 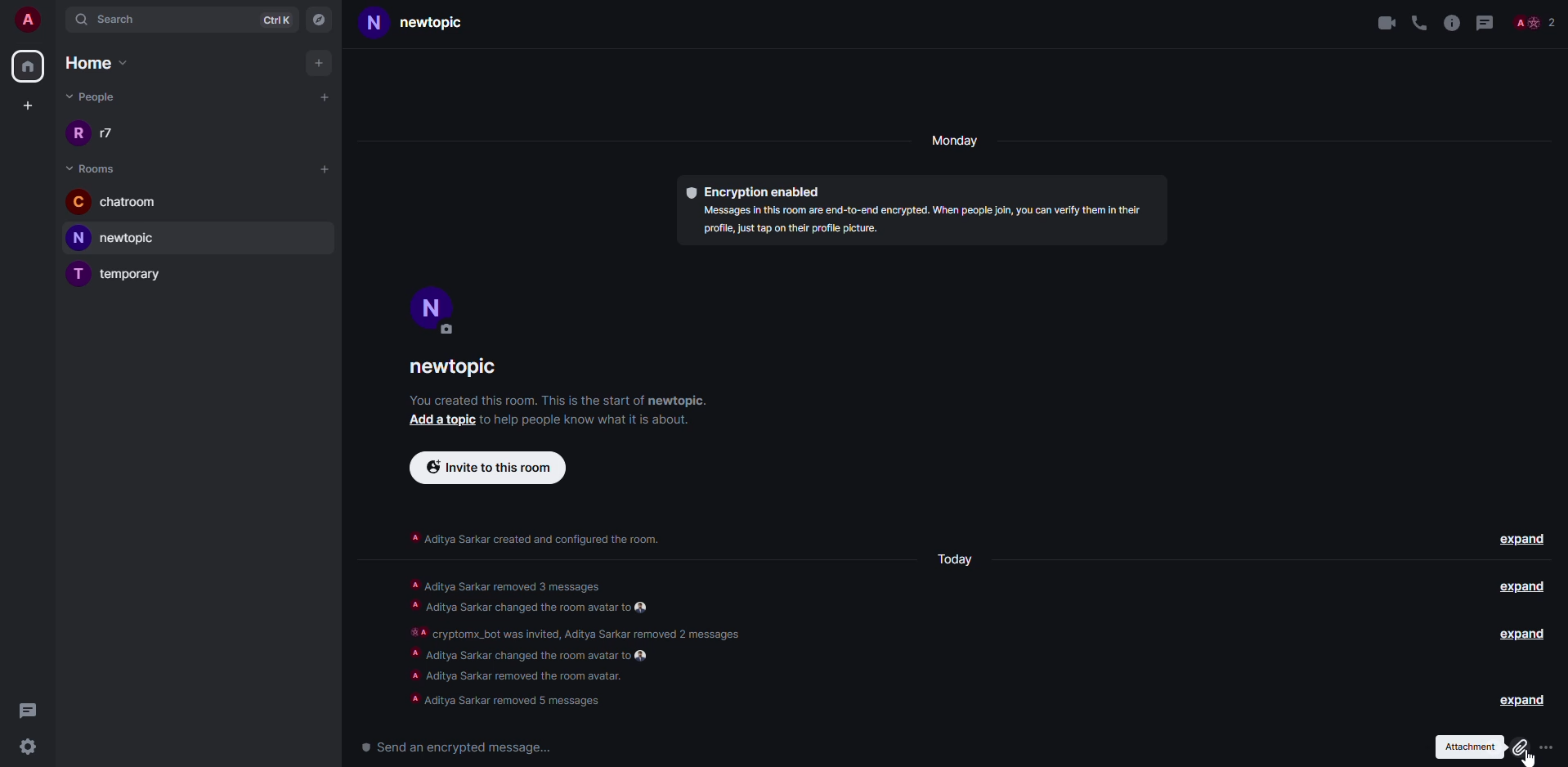 I want to click on room, so click(x=422, y=22).